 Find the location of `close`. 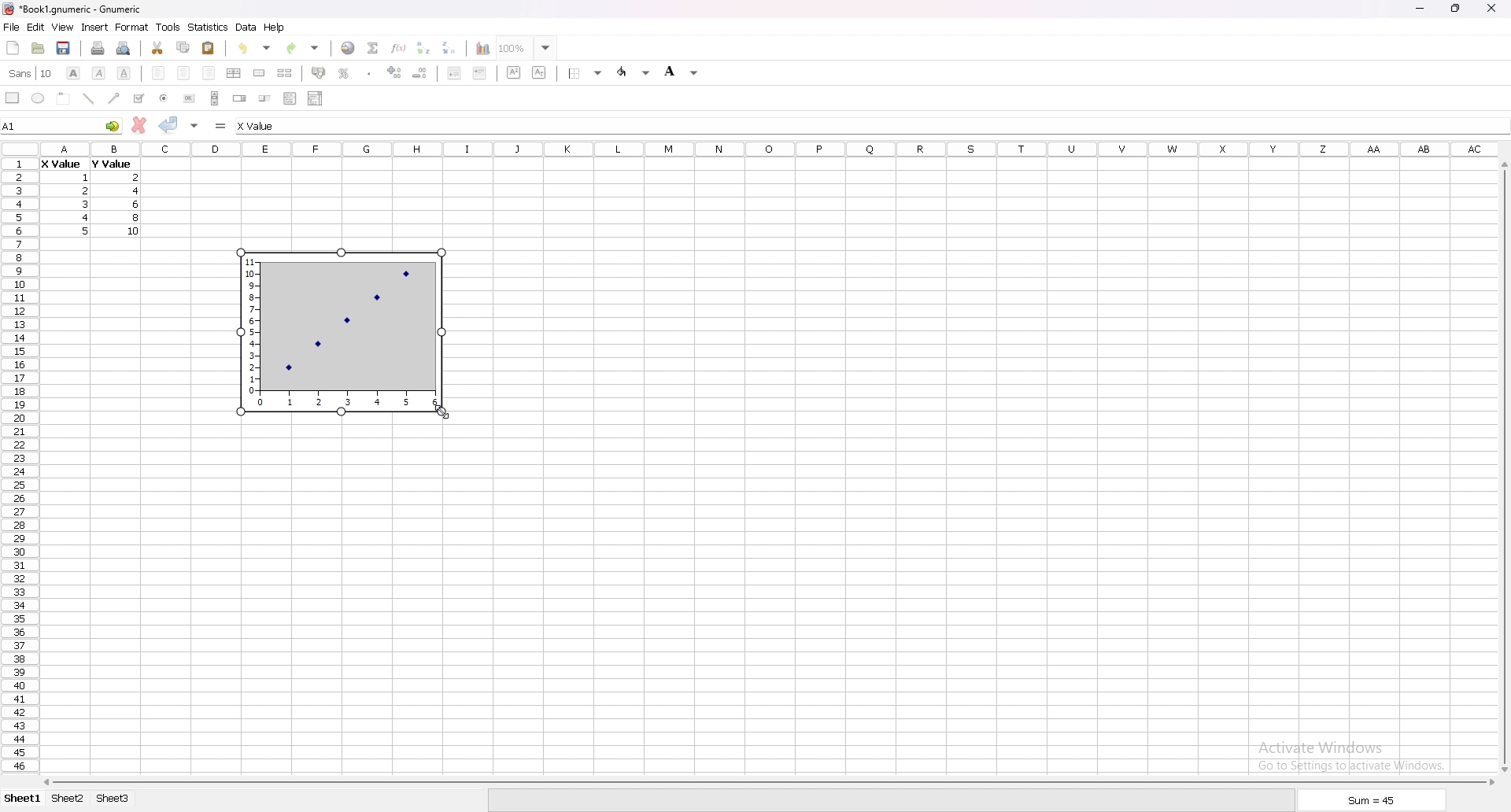

close is located at coordinates (1491, 8).